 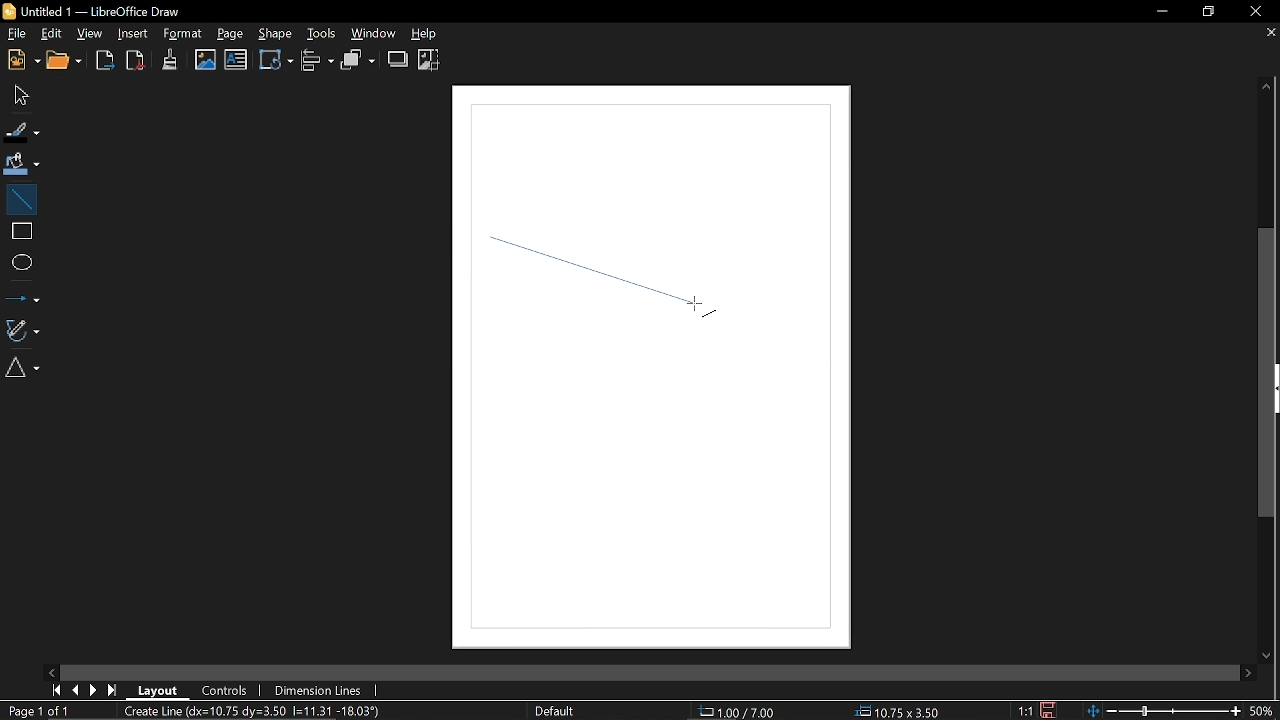 I want to click on transformation, so click(x=274, y=62).